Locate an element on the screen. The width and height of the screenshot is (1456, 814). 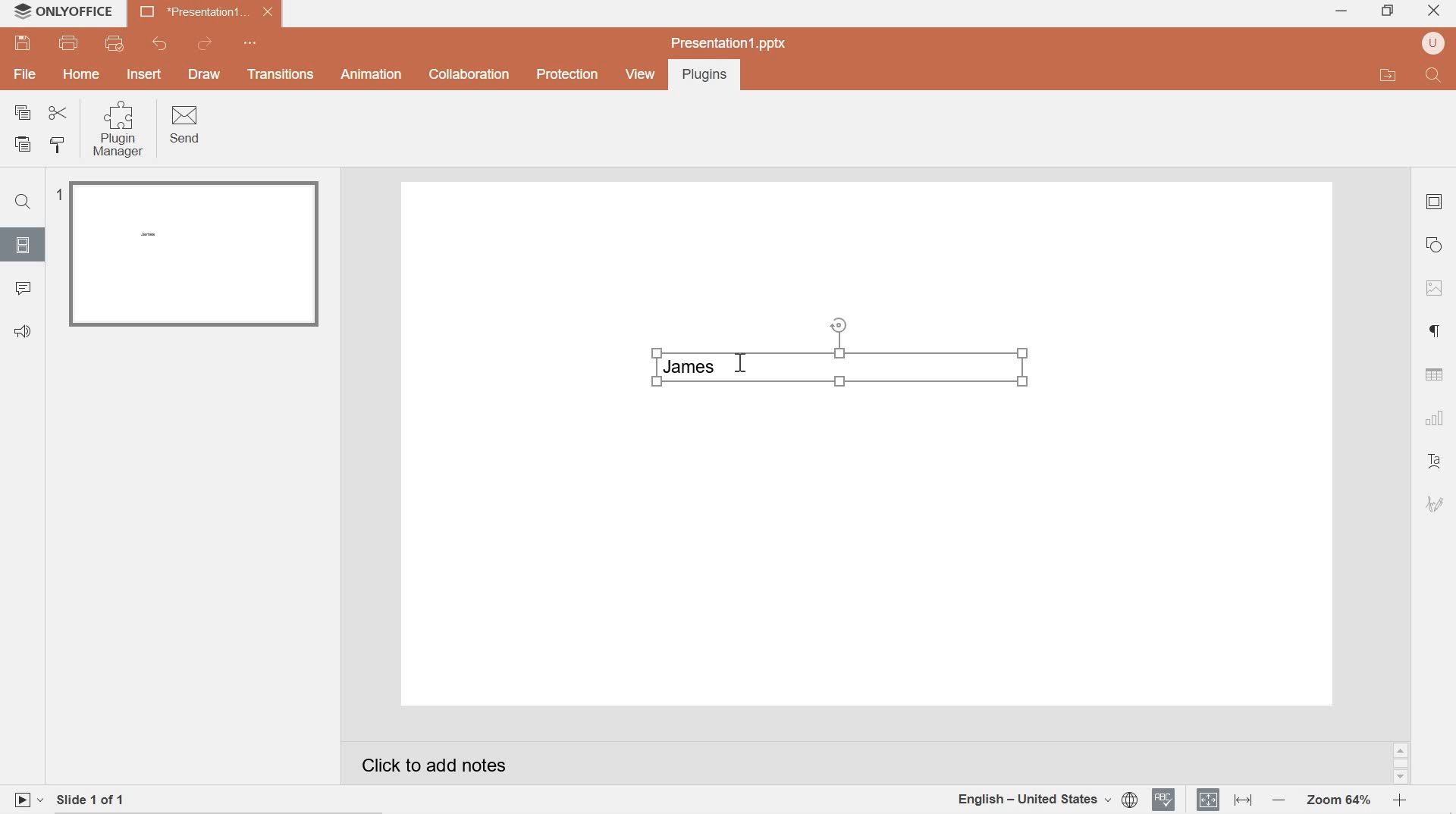
fit to width is located at coordinates (1241, 800).